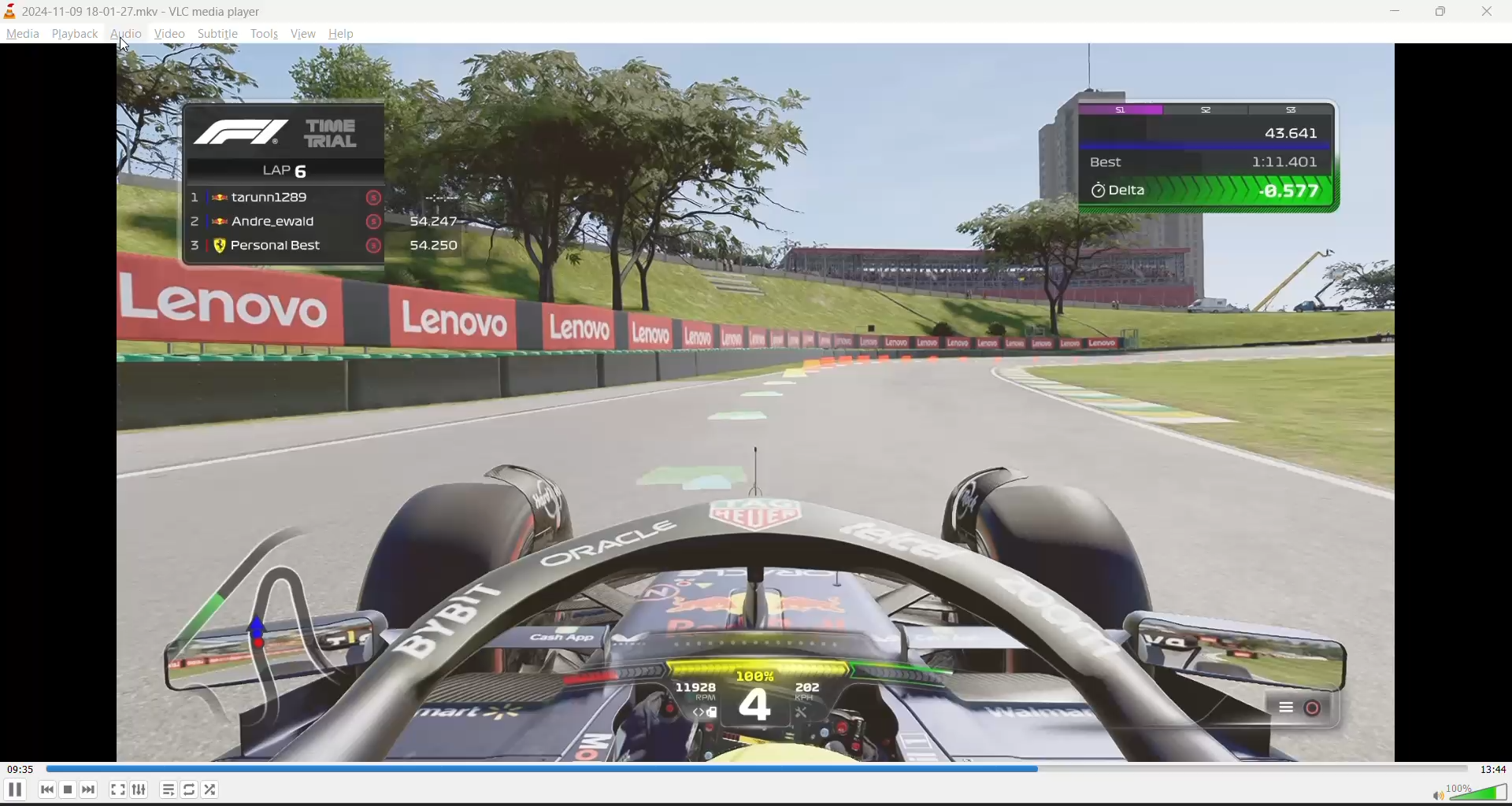 This screenshot has height=806, width=1512. Describe the element at coordinates (47, 789) in the screenshot. I see `previous` at that location.